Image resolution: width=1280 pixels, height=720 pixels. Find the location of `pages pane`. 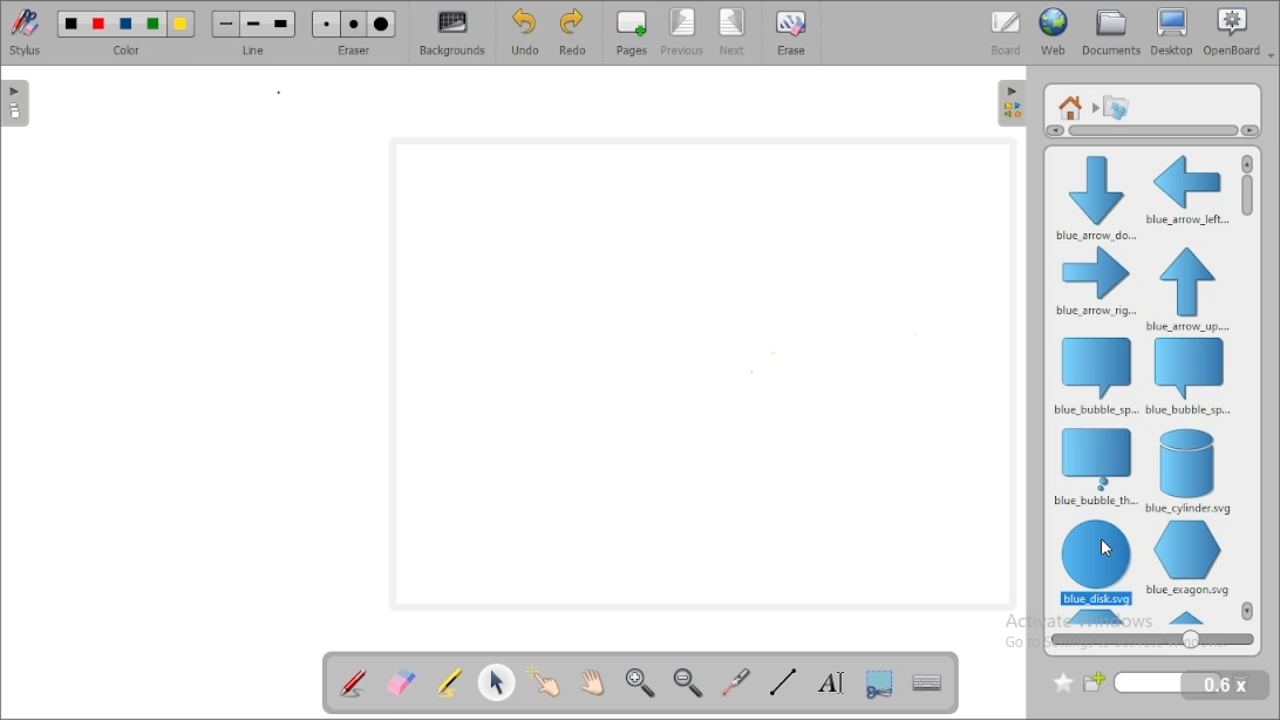

pages pane is located at coordinates (18, 103).